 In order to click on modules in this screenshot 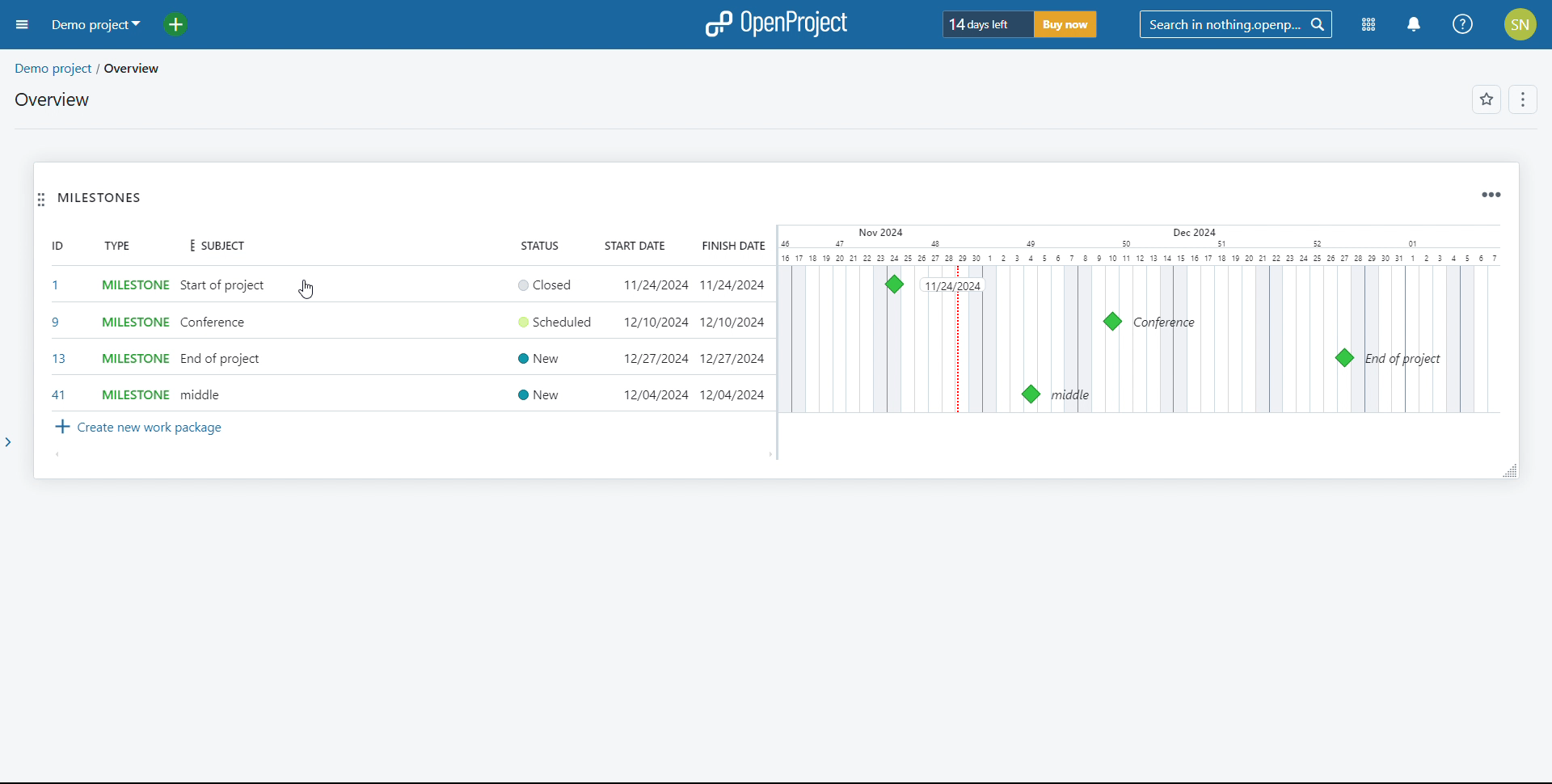, I will do `click(1366, 26)`.